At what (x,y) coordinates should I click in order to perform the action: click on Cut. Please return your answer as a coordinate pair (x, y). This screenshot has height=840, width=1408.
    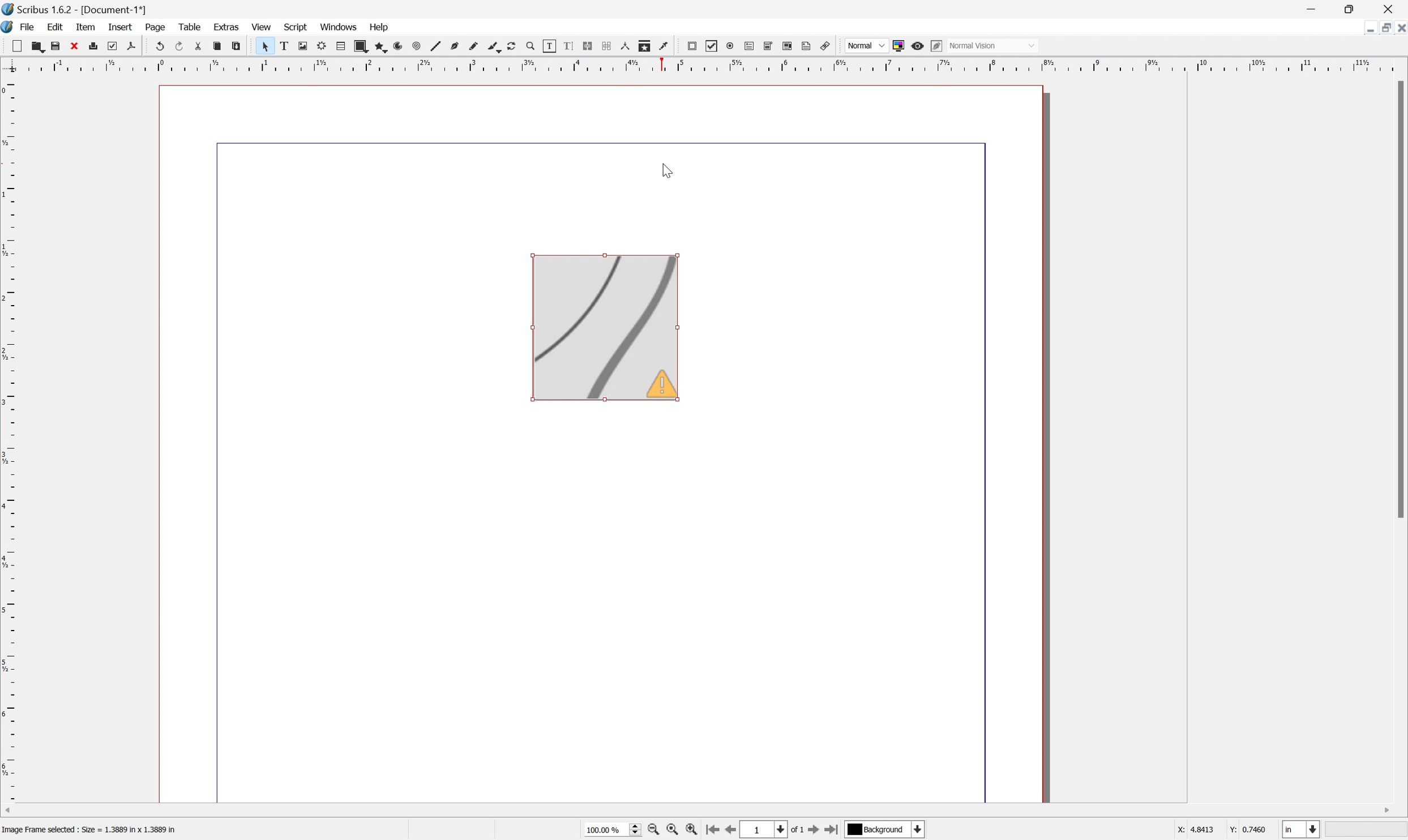
    Looking at the image, I should click on (203, 48).